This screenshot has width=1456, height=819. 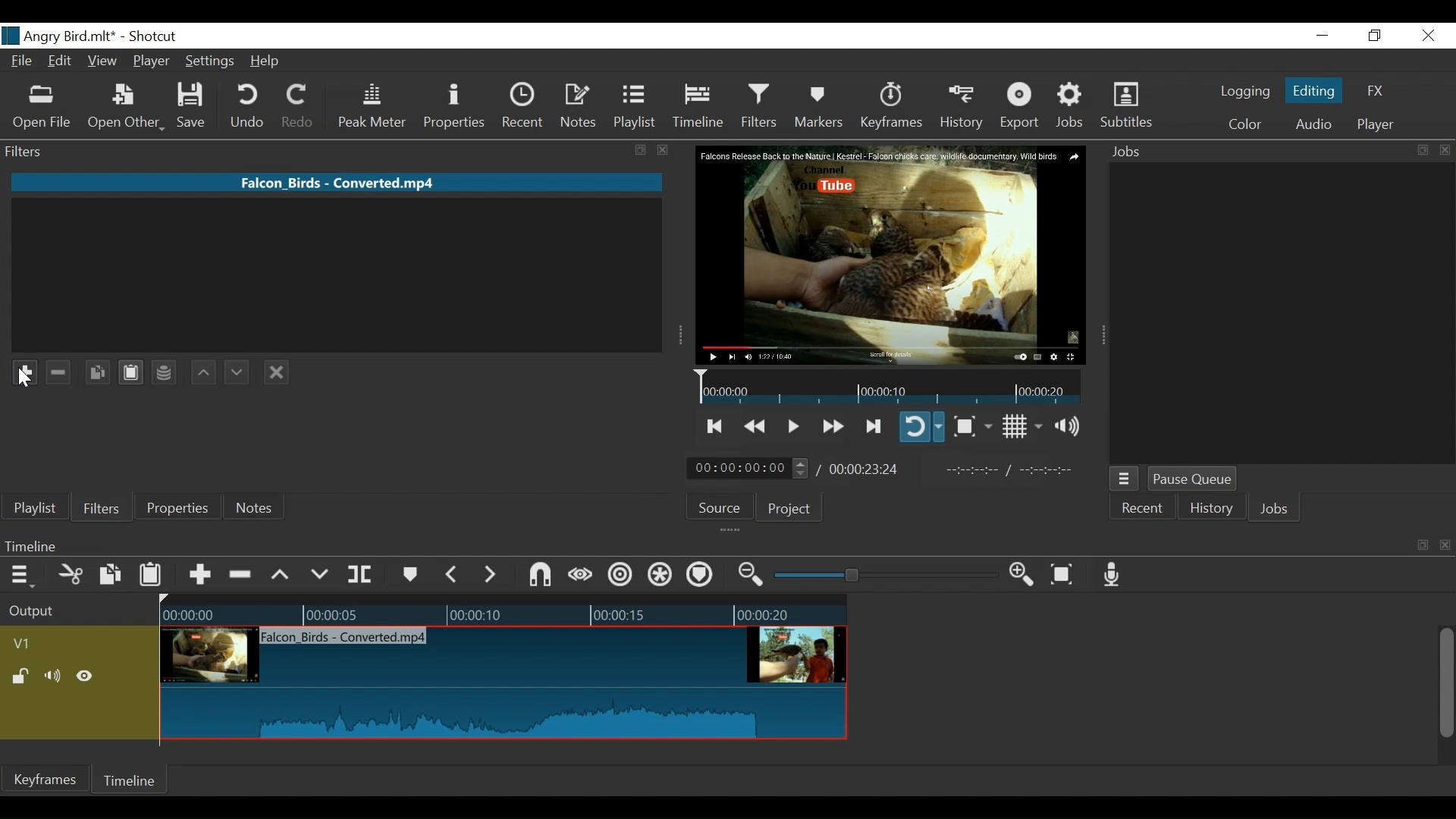 What do you see at coordinates (1015, 470) in the screenshot?
I see `In point` at bounding box center [1015, 470].